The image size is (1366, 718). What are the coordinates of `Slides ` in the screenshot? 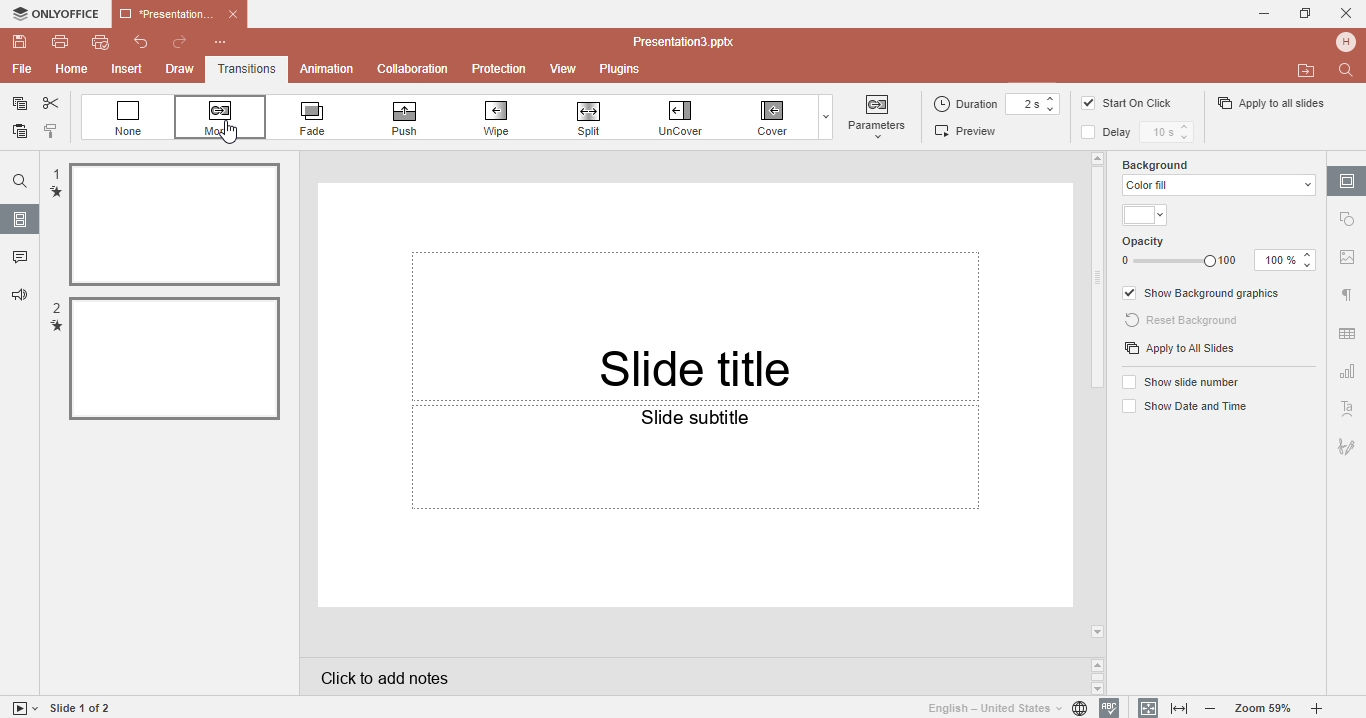 It's located at (20, 219).